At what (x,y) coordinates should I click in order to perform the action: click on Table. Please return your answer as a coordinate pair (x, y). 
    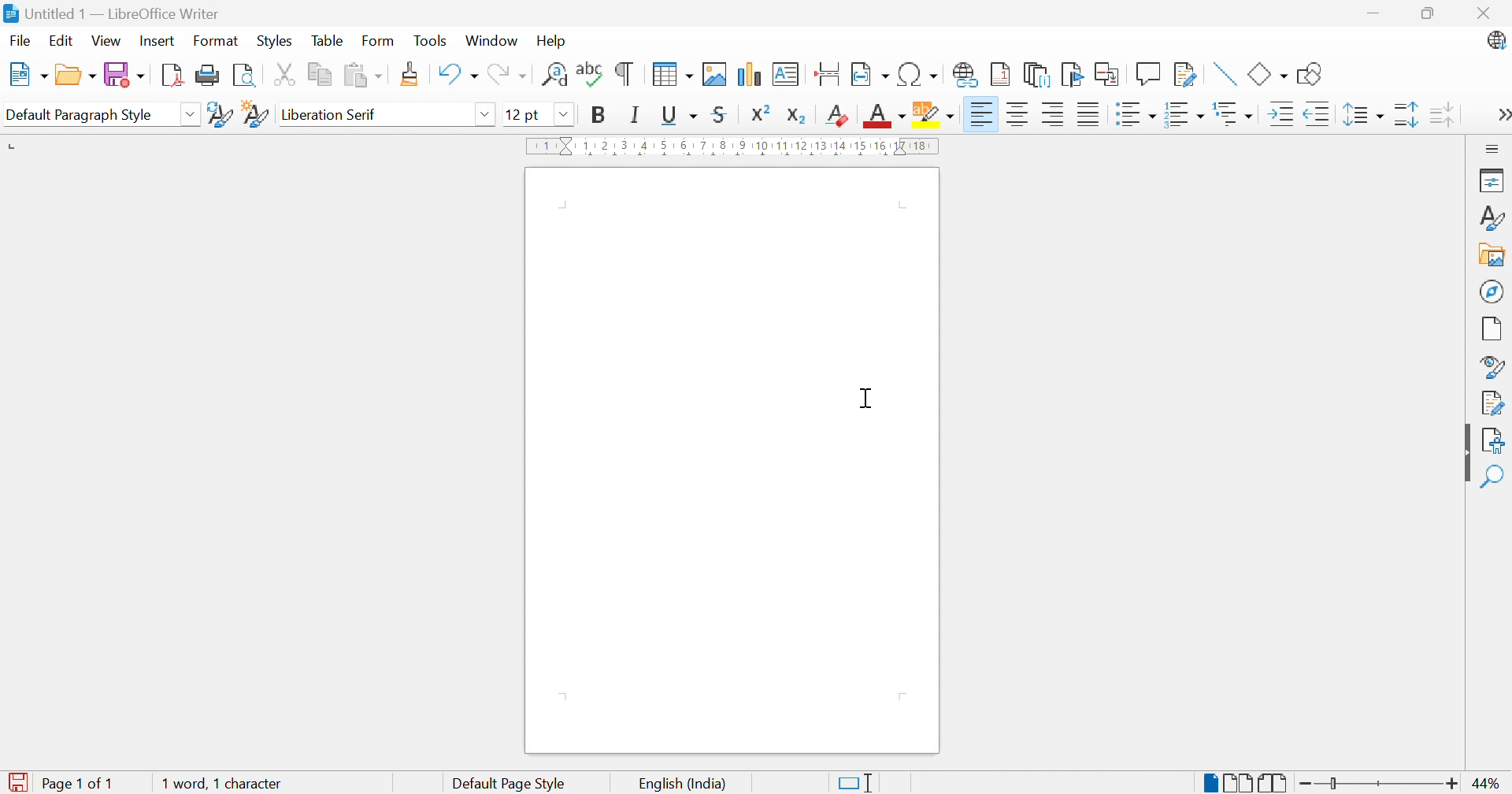
    Looking at the image, I should click on (328, 39).